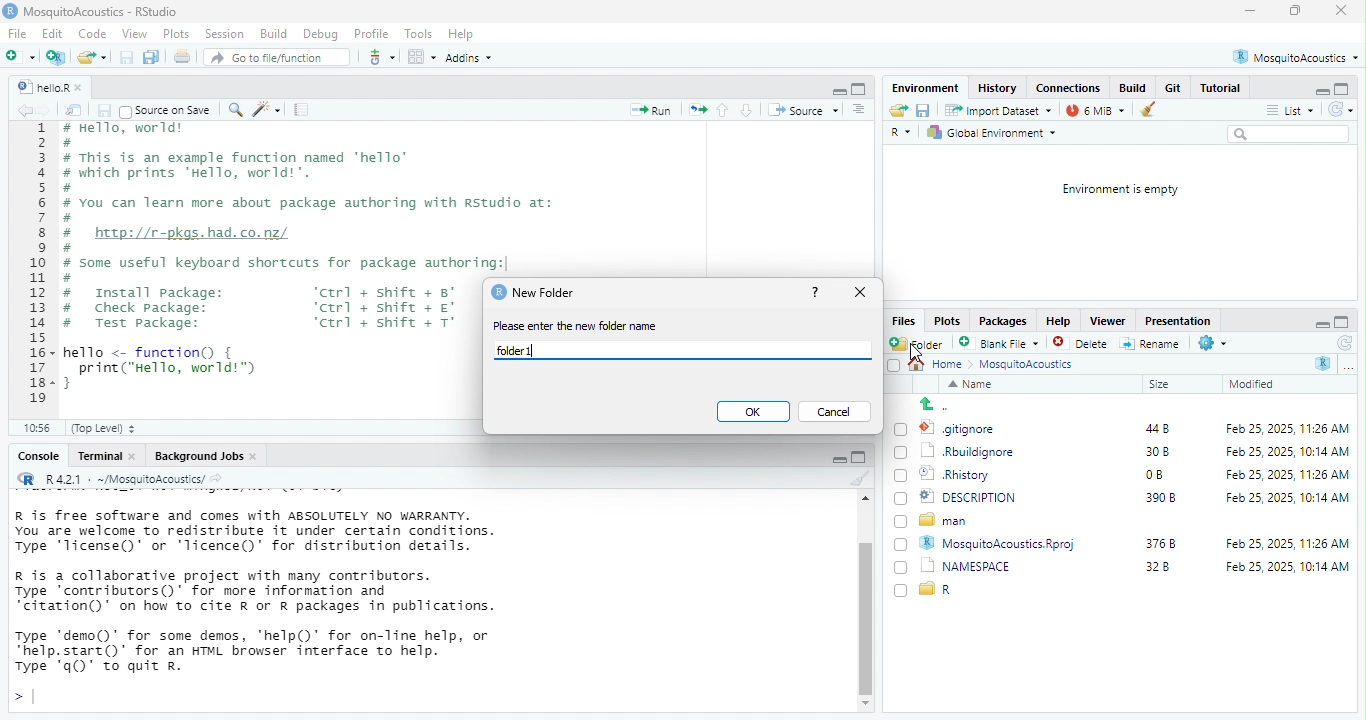  I want to click on hide r script, so click(1322, 90).